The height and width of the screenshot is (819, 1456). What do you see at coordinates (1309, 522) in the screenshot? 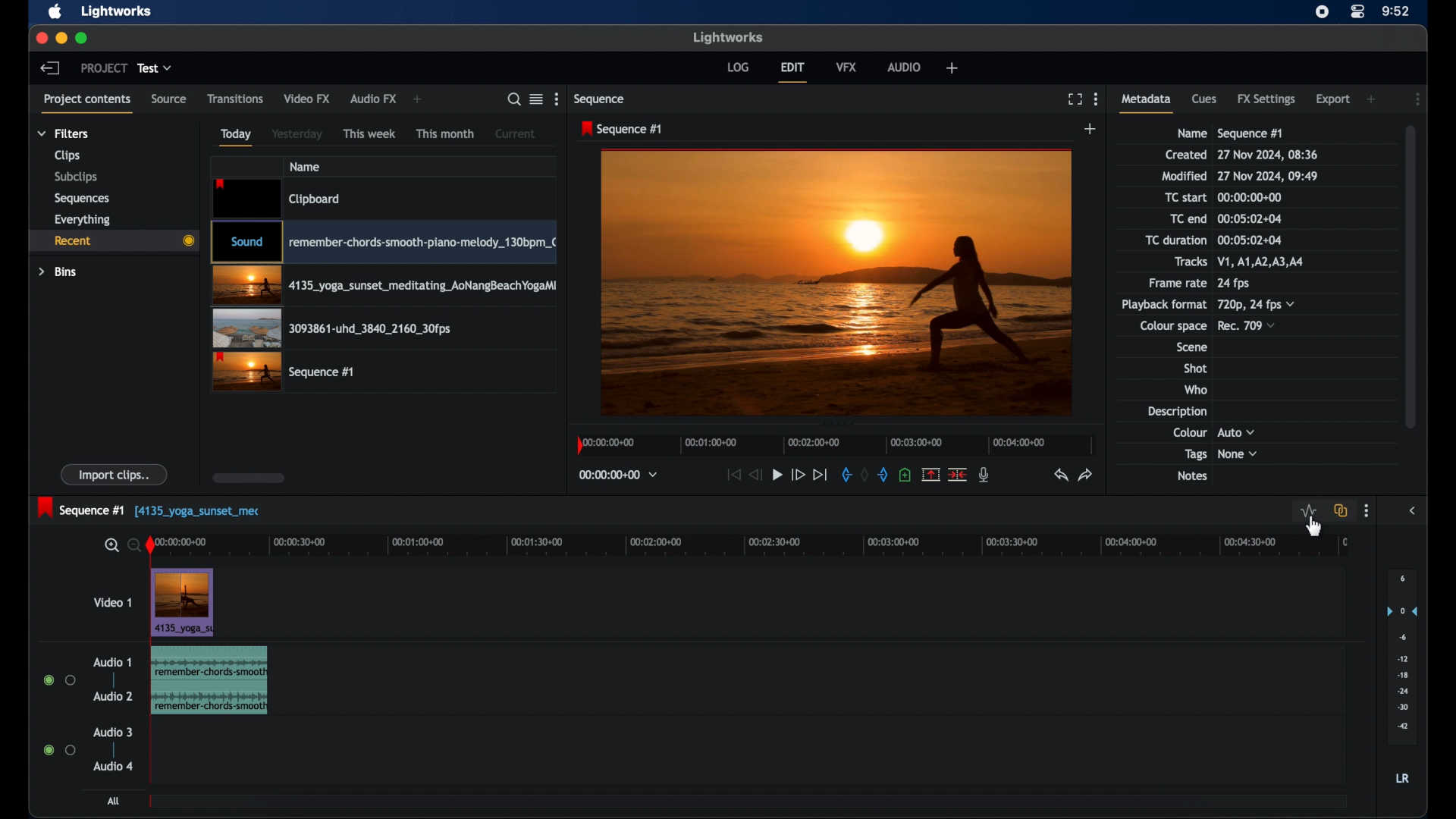
I see `cursor` at bounding box center [1309, 522].